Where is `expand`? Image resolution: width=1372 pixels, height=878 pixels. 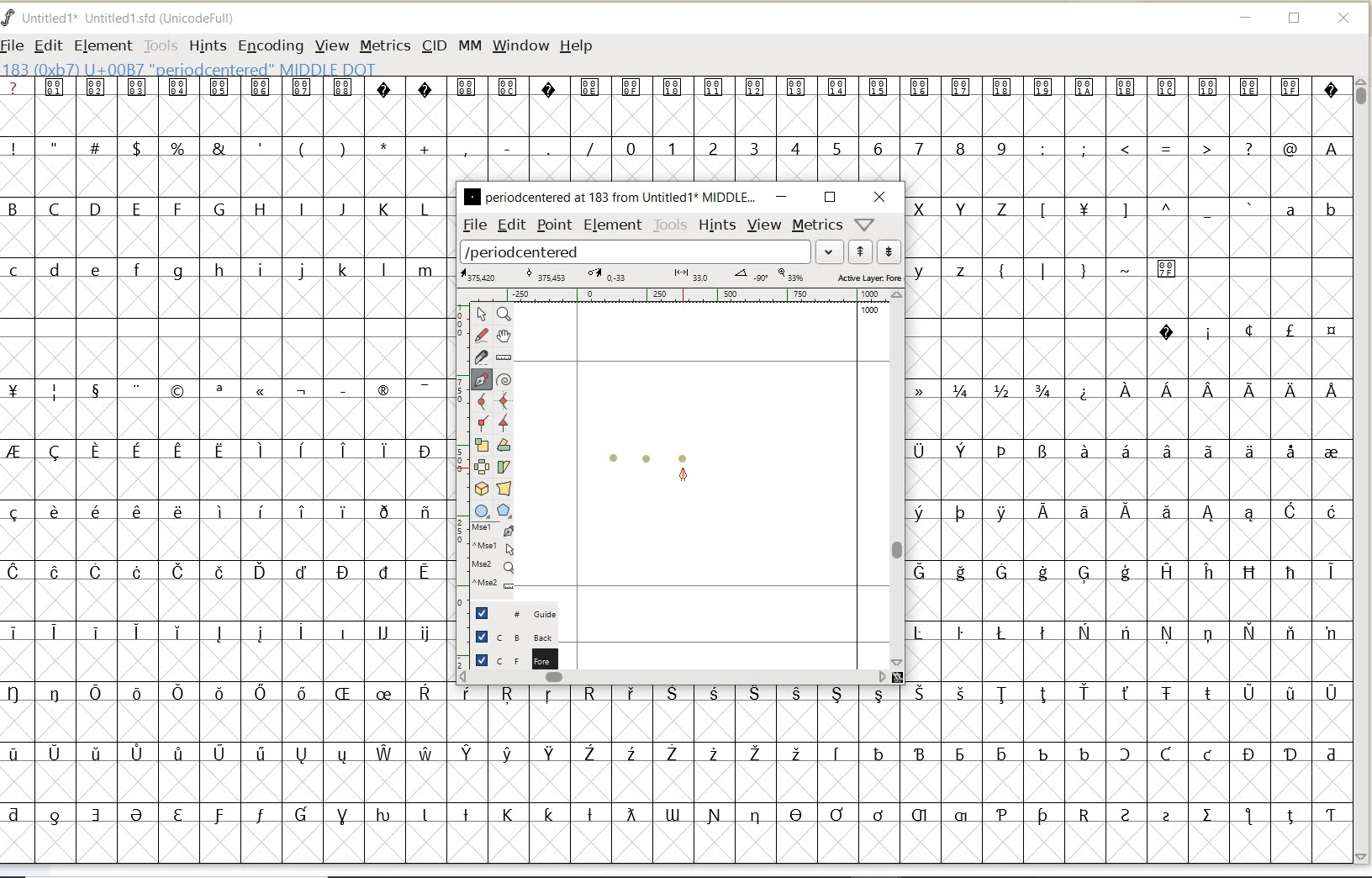
expand is located at coordinates (830, 251).